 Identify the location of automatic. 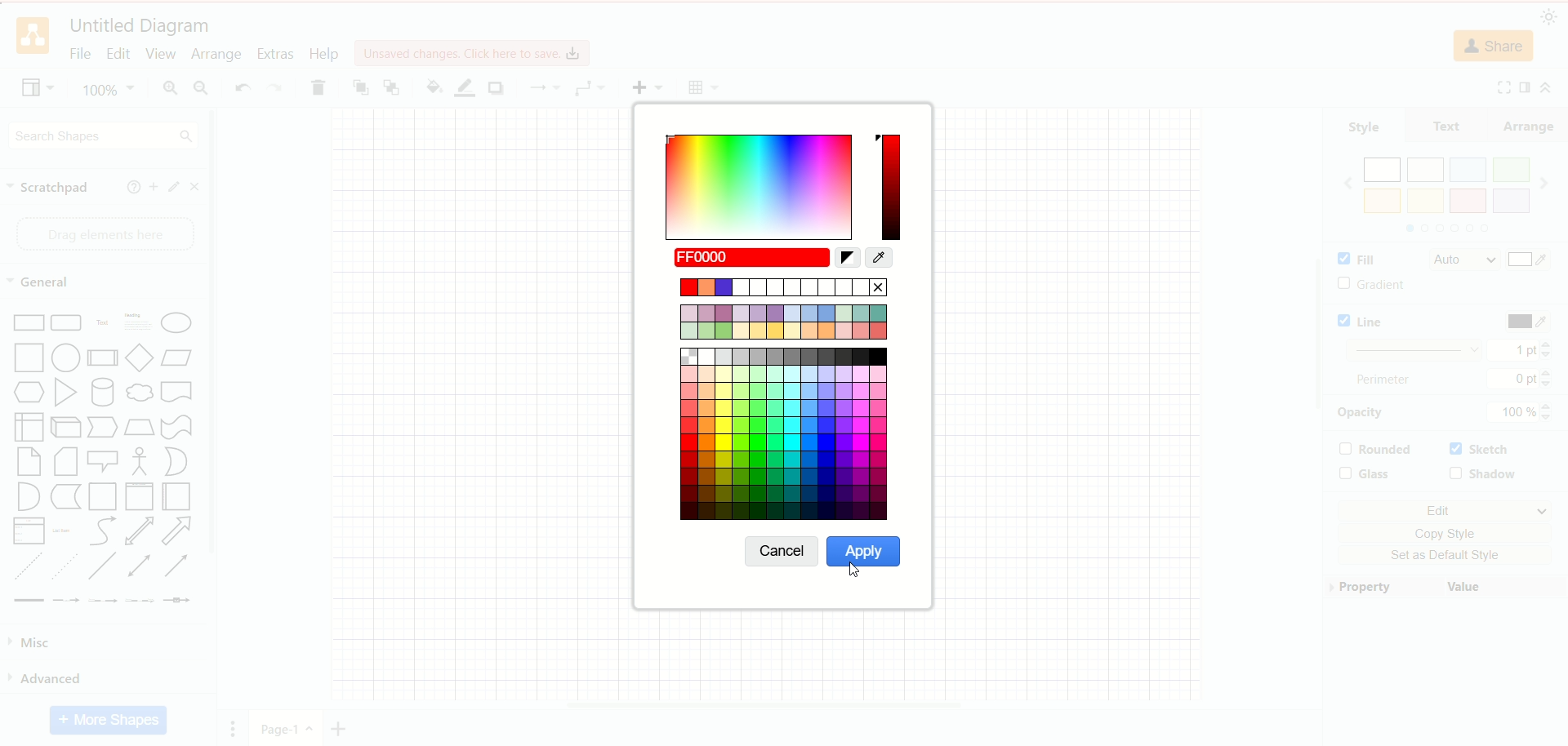
(752, 259).